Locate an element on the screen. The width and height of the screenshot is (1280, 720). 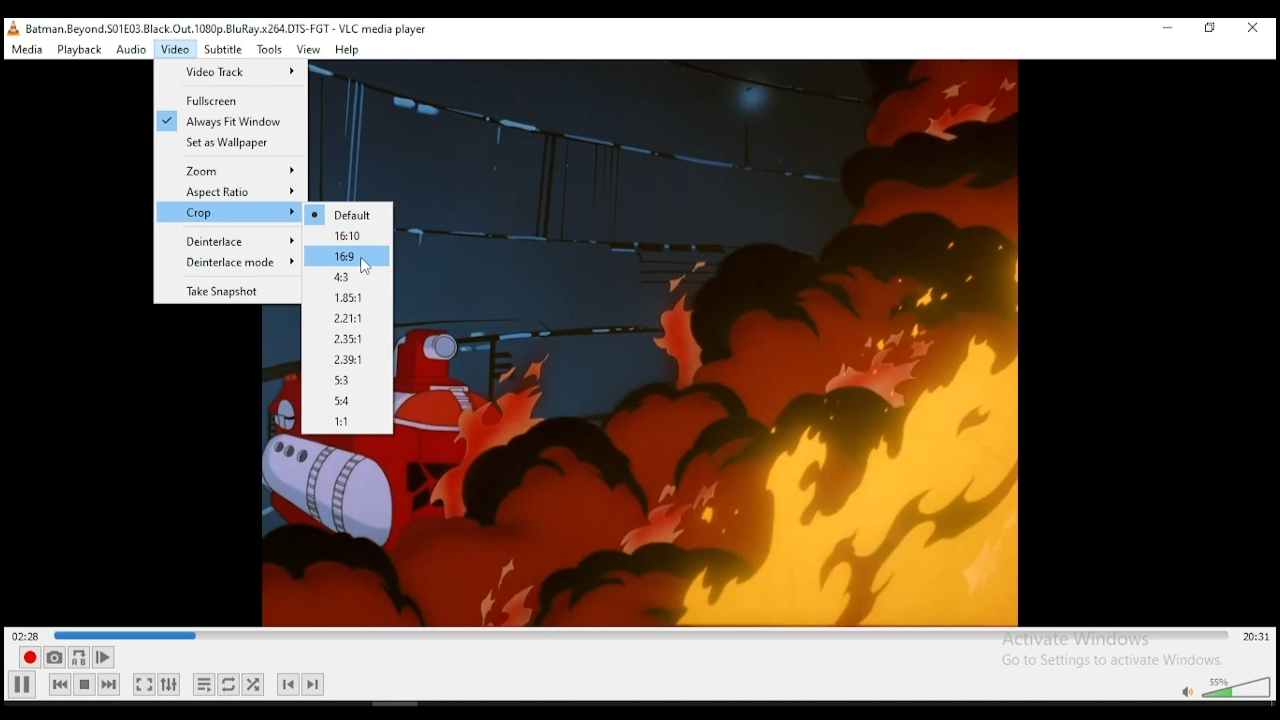
loop between point A and point B.. click to add point A is located at coordinates (80, 656).